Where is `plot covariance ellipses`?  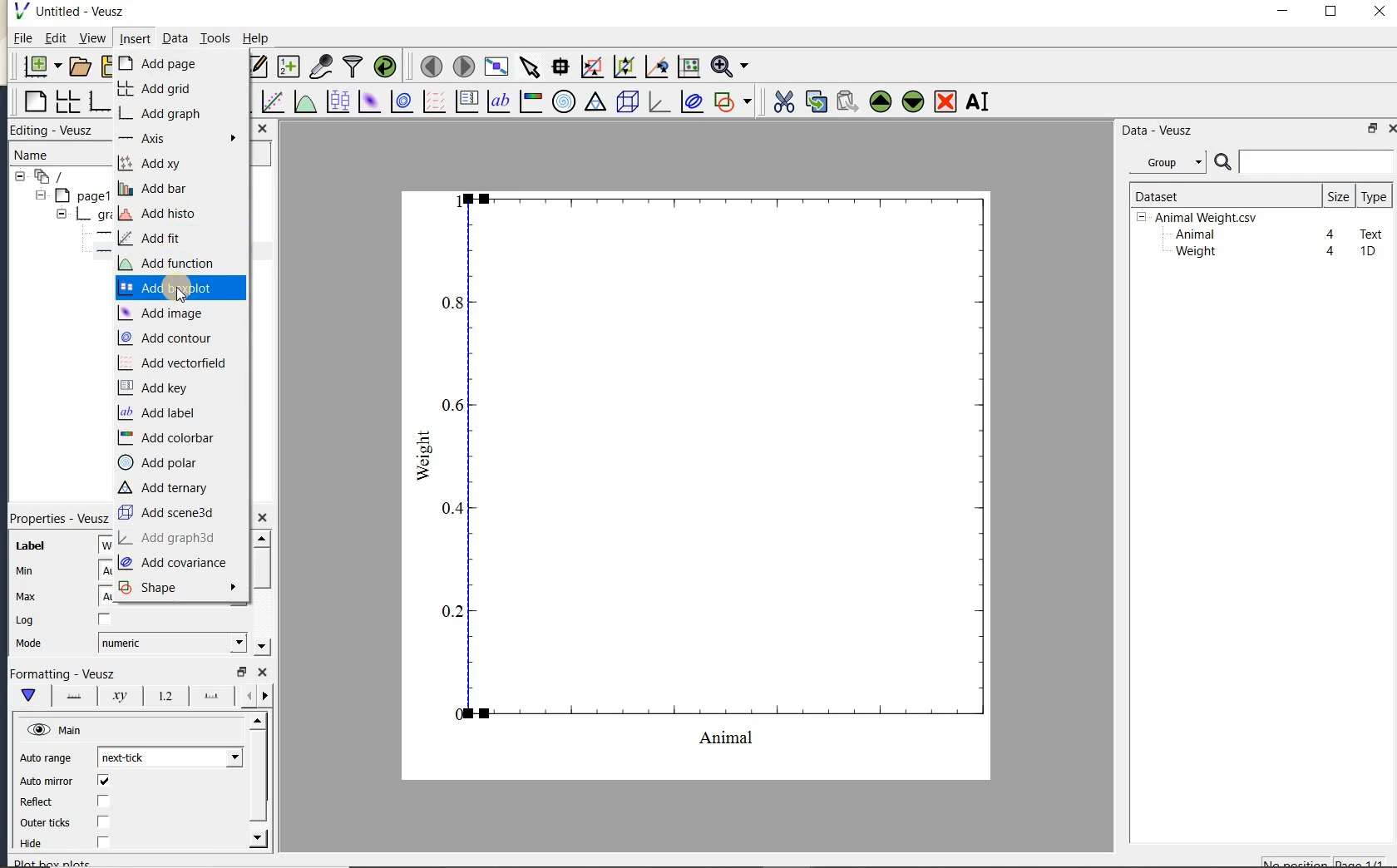
plot covariance ellipses is located at coordinates (690, 101).